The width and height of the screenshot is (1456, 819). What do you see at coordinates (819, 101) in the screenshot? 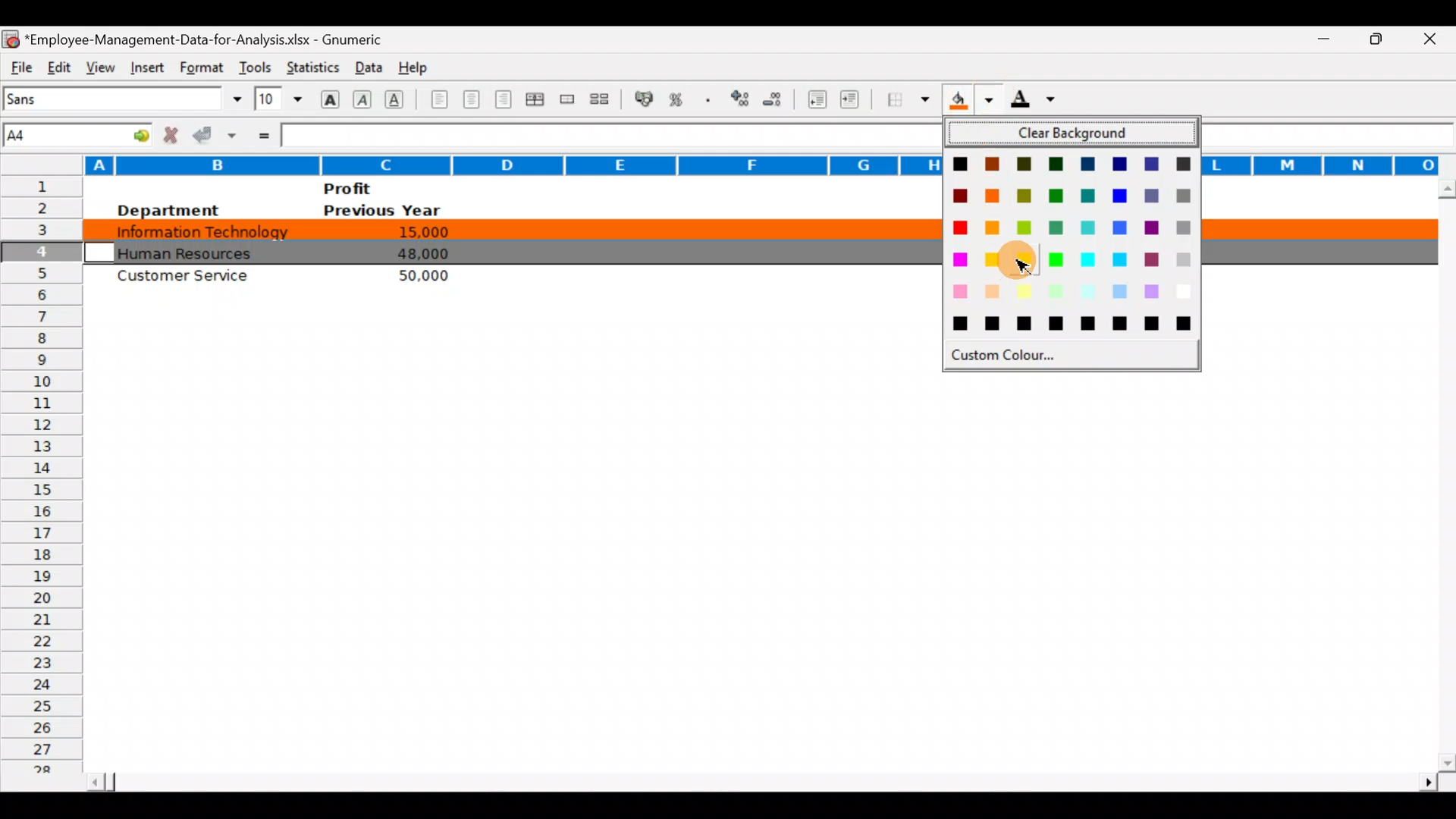
I see `Decrease indent, align contents to the left` at bounding box center [819, 101].